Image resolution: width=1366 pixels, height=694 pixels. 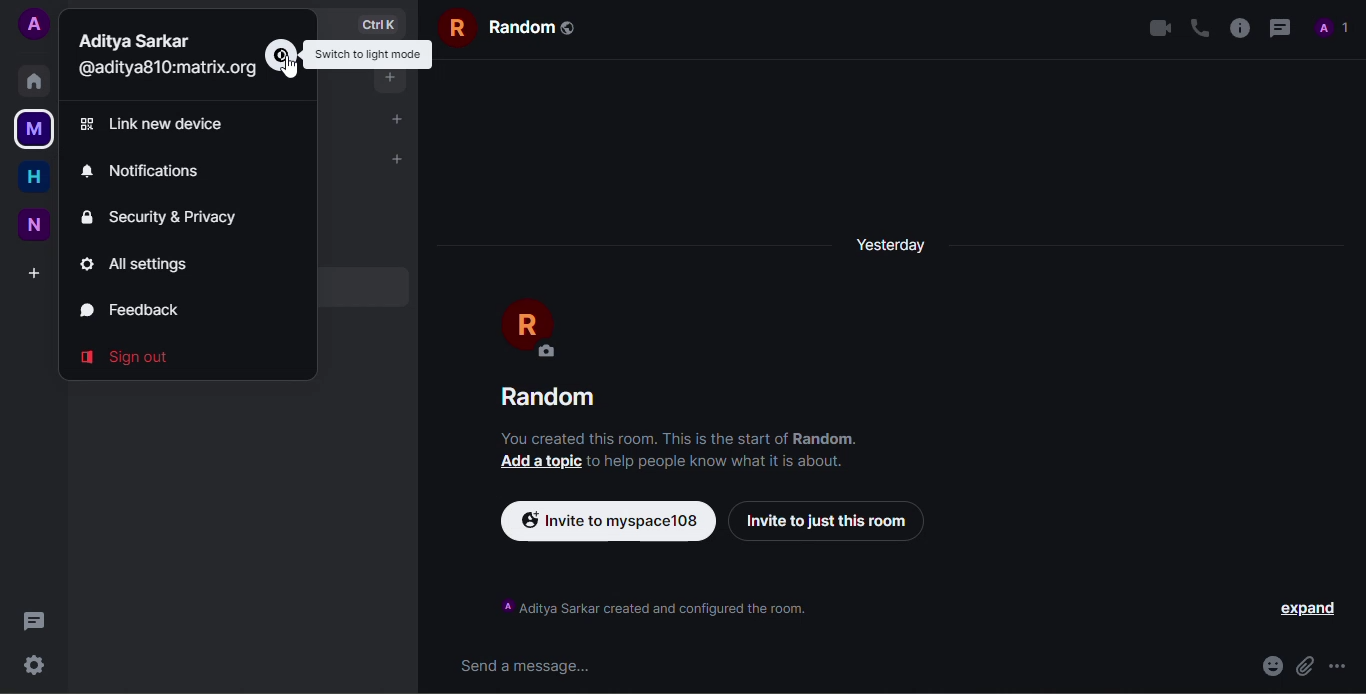 What do you see at coordinates (550, 398) in the screenshot?
I see `room` at bounding box center [550, 398].